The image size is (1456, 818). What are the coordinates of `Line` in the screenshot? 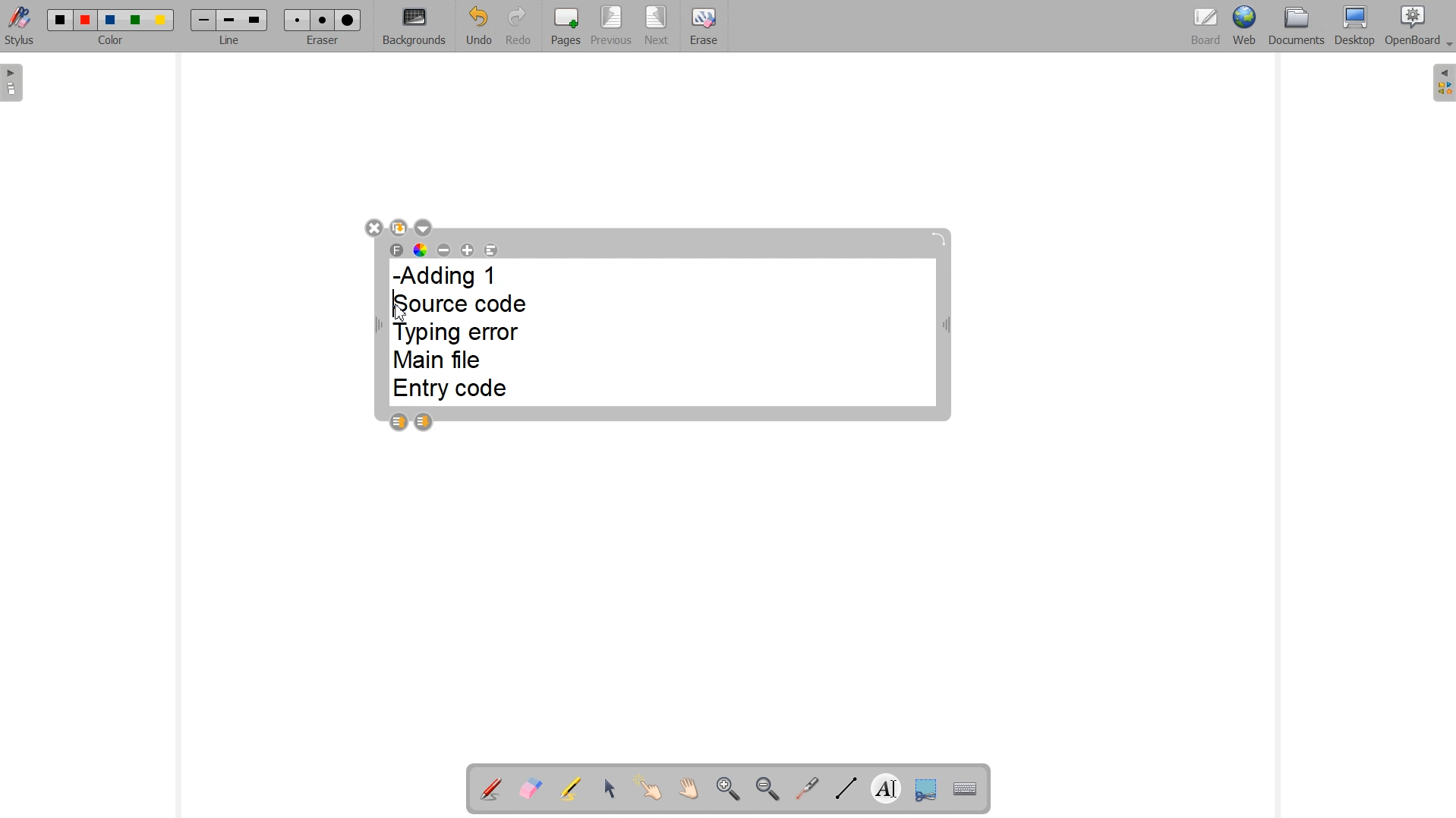 It's located at (230, 41).